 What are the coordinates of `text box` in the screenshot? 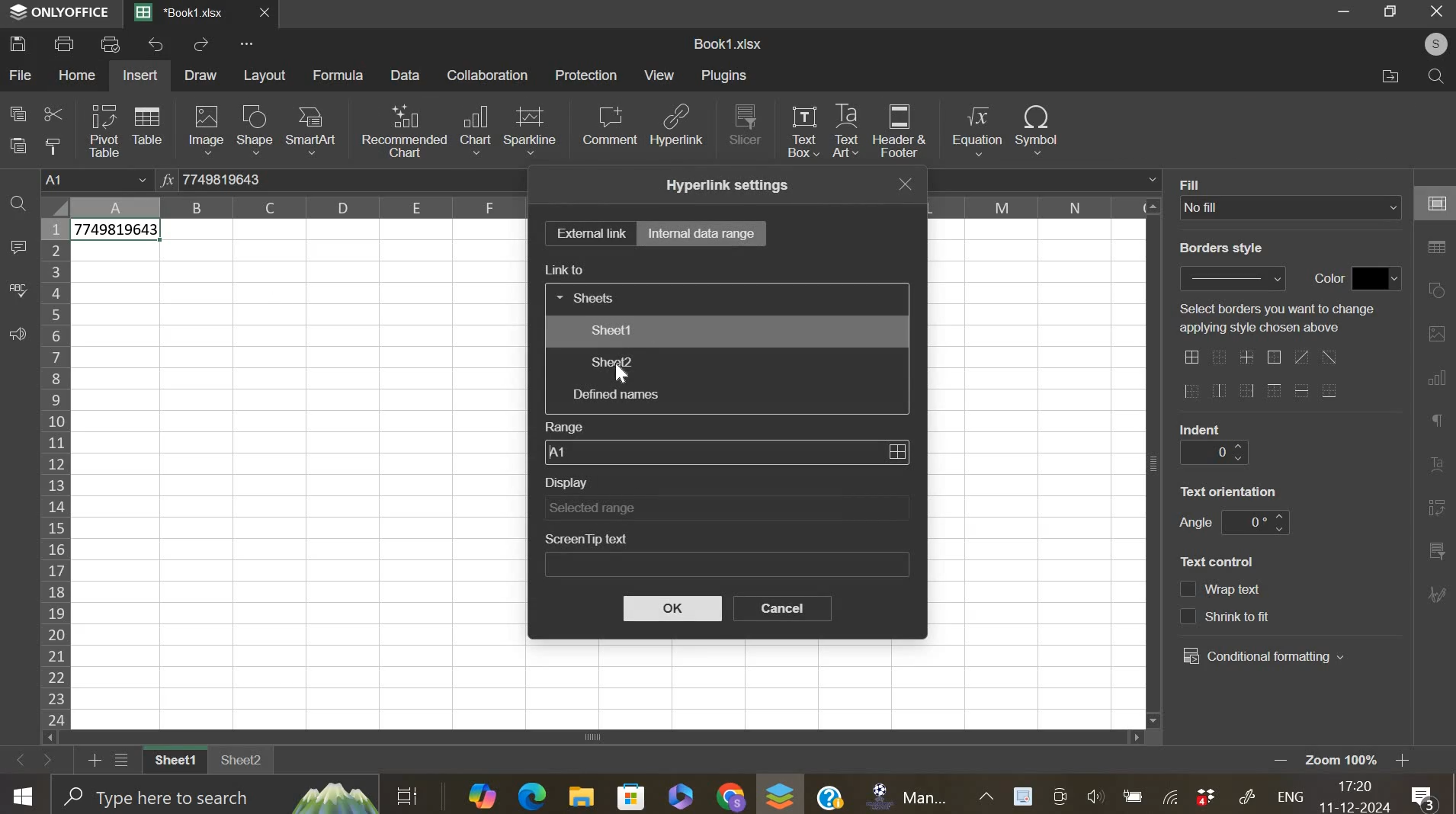 It's located at (802, 130).